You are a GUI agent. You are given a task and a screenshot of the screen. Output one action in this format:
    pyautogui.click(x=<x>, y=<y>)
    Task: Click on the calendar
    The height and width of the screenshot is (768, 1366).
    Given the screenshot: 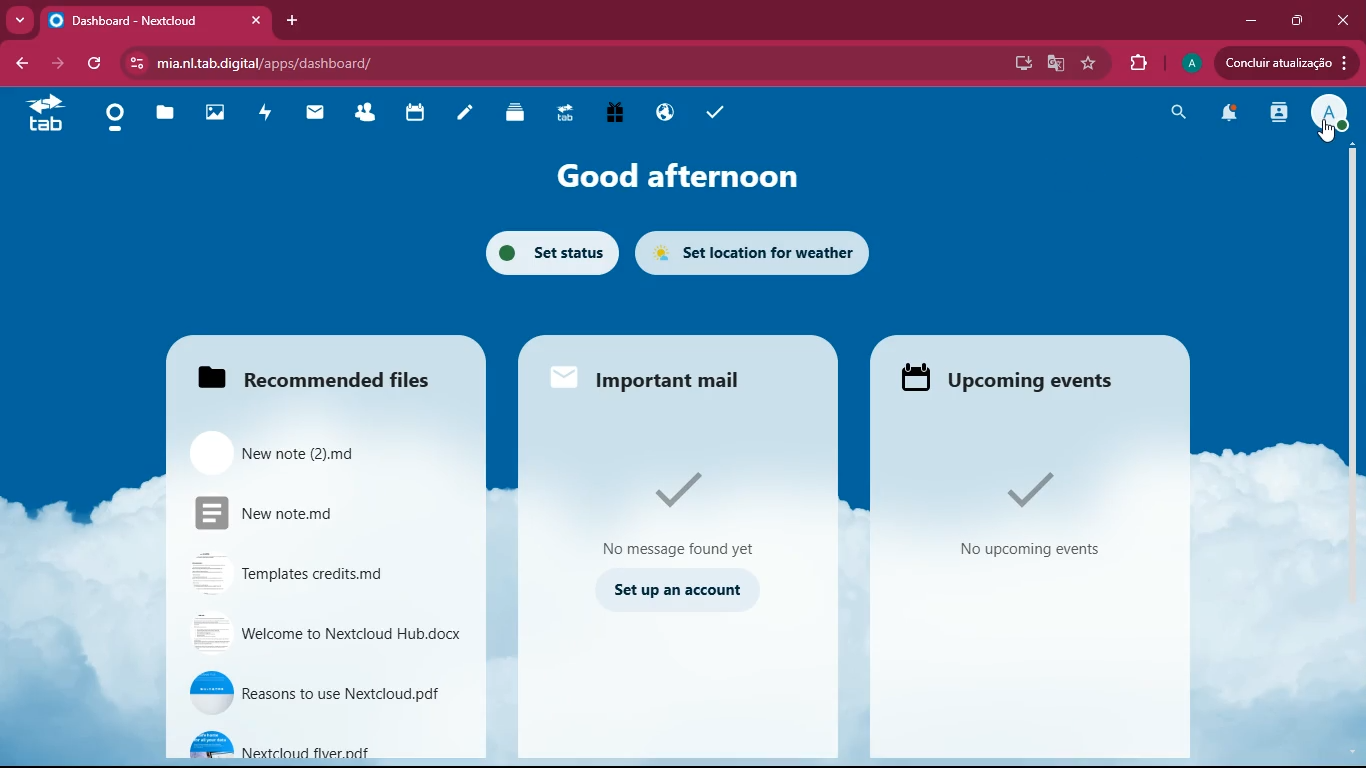 What is the action you would take?
    pyautogui.click(x=414, y=114)
    